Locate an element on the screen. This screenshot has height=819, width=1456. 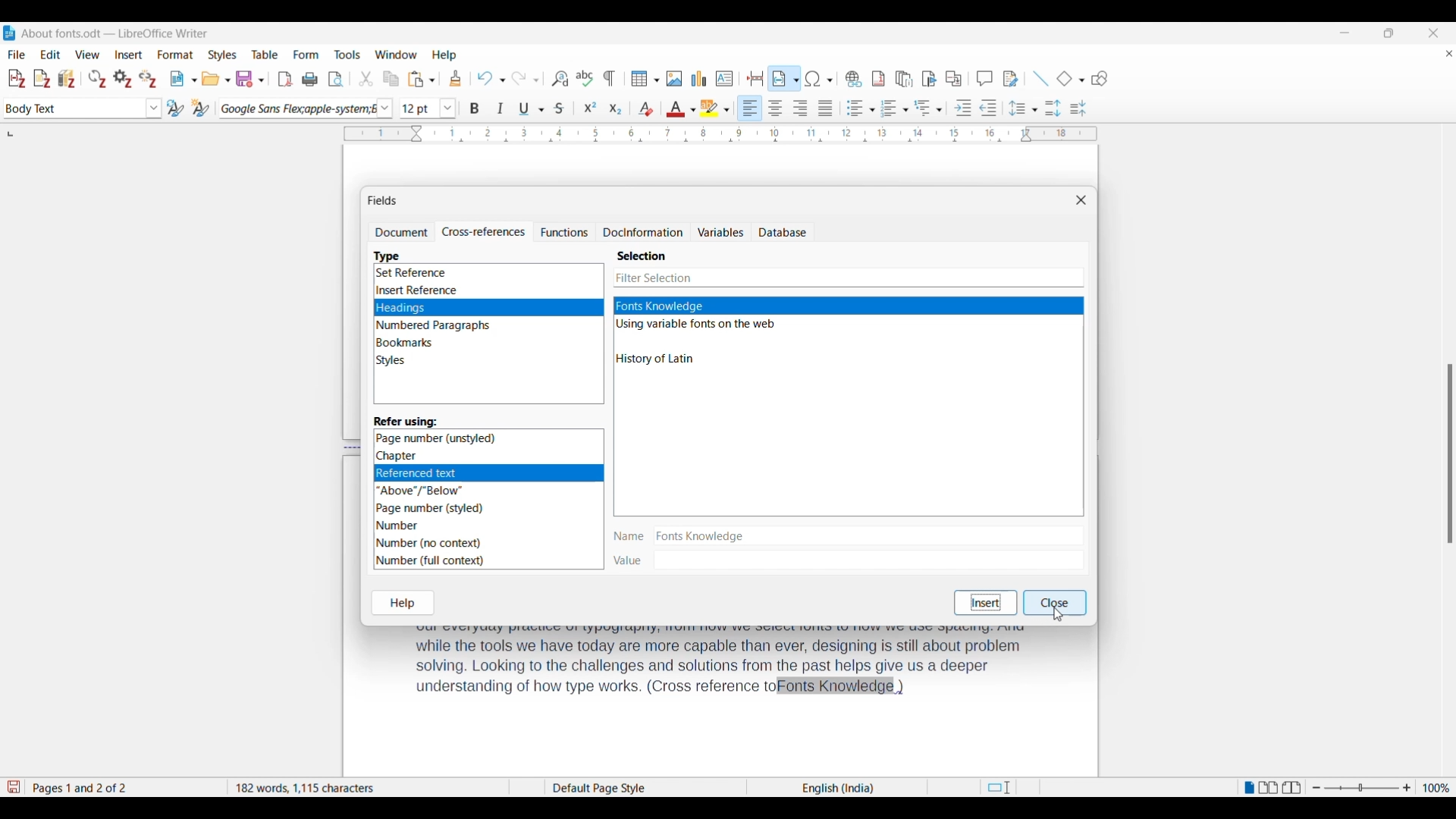
Increase paragraph spacing is located at coordinates (1053, 108).